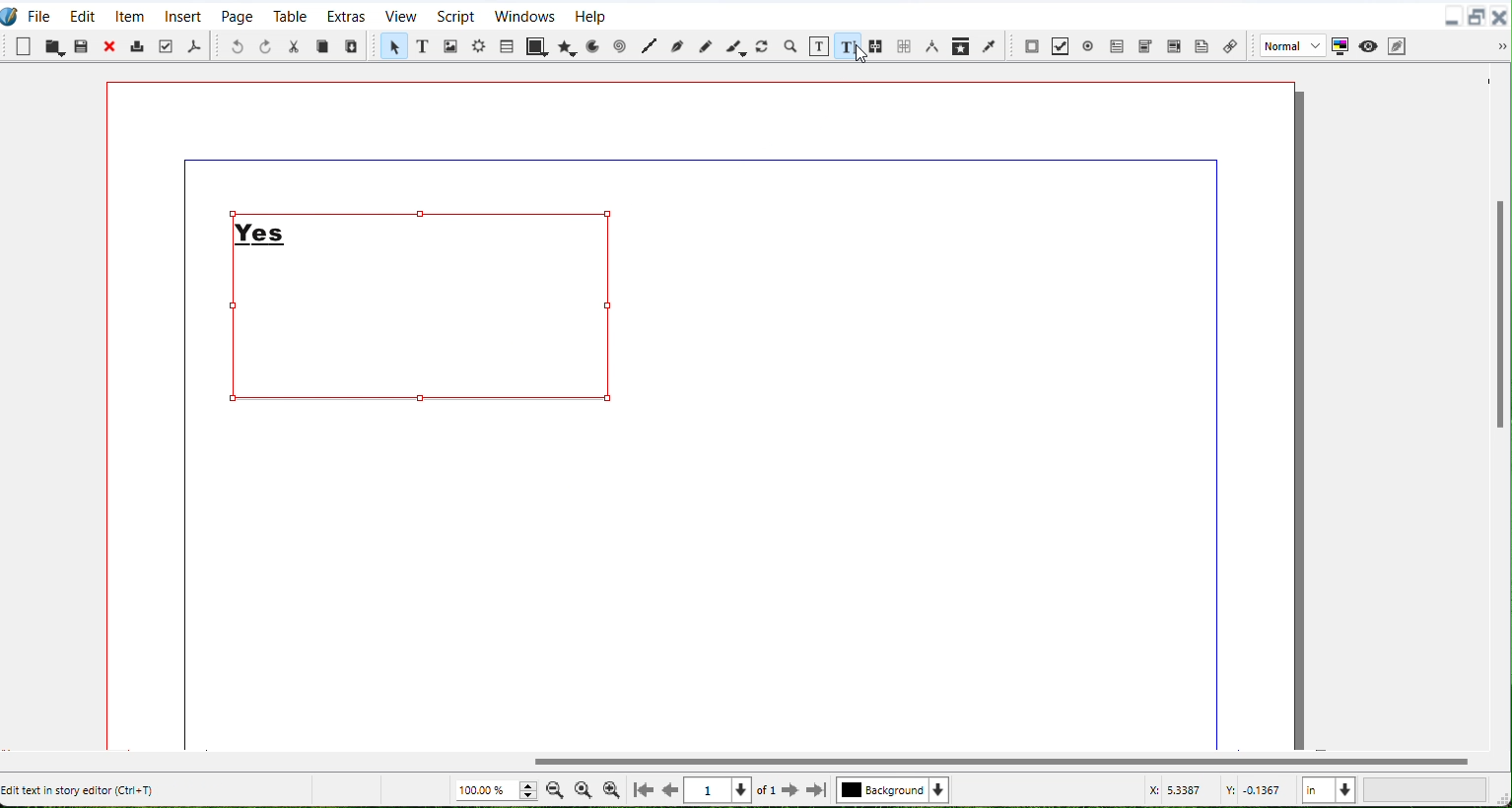 The width and height of the screenshot is (1512, 808). I want to click on Cursor, so click(858, 52).